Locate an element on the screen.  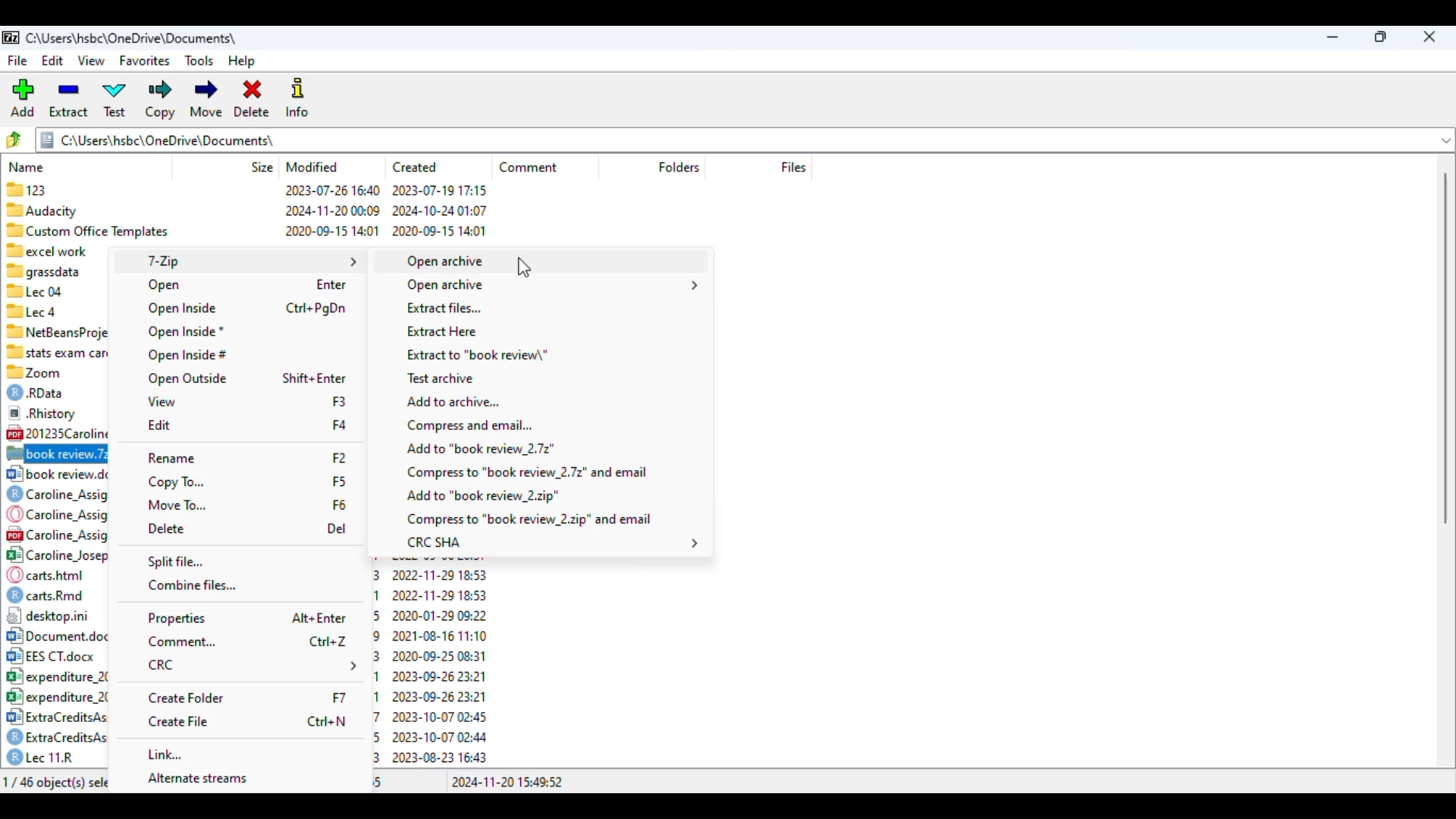
open outside is located at coordinates (187, 379).